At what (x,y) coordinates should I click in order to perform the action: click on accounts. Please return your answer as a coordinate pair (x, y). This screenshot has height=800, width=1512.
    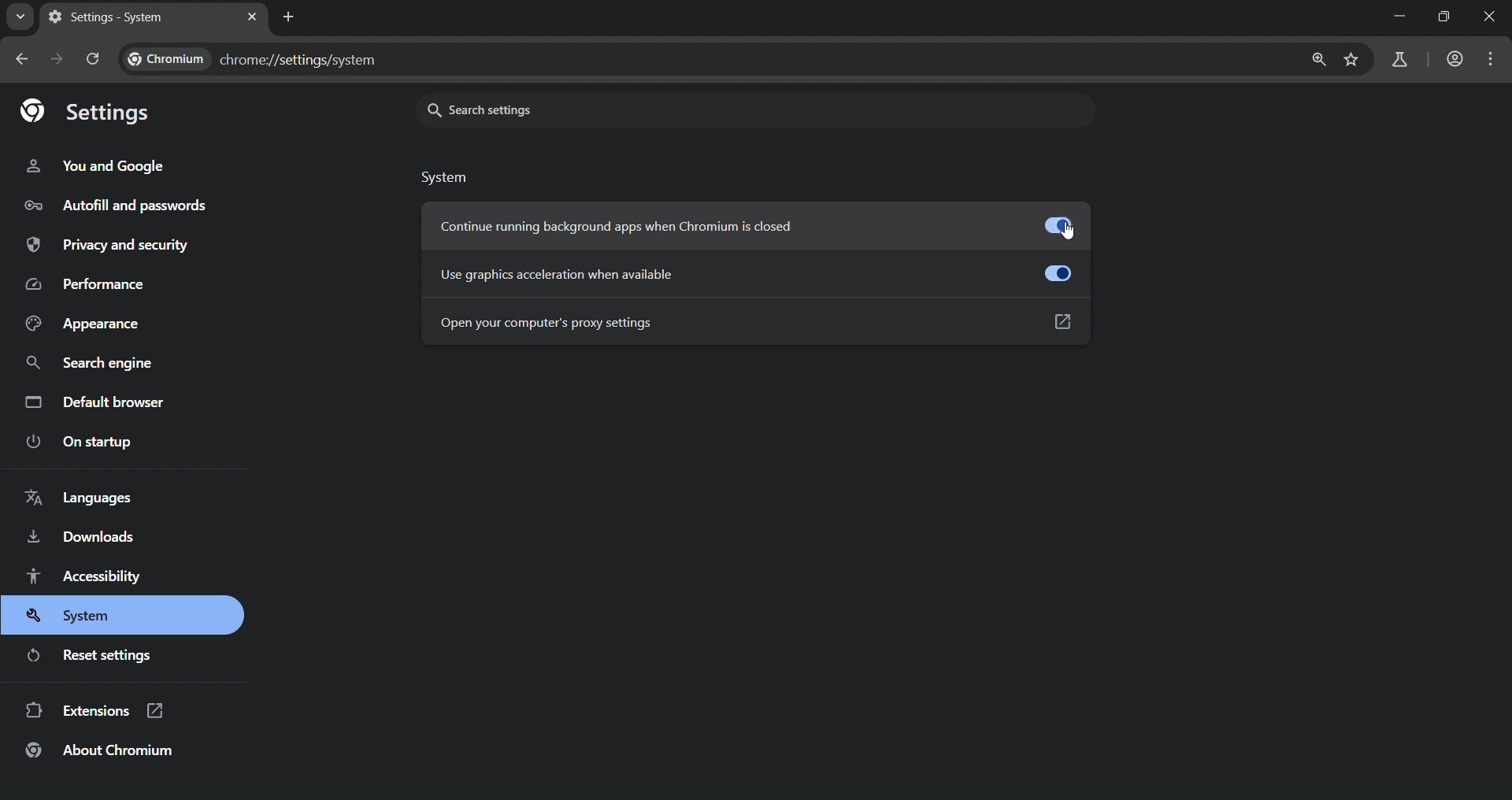
    Looking at the image, I should click on (1402, 58).